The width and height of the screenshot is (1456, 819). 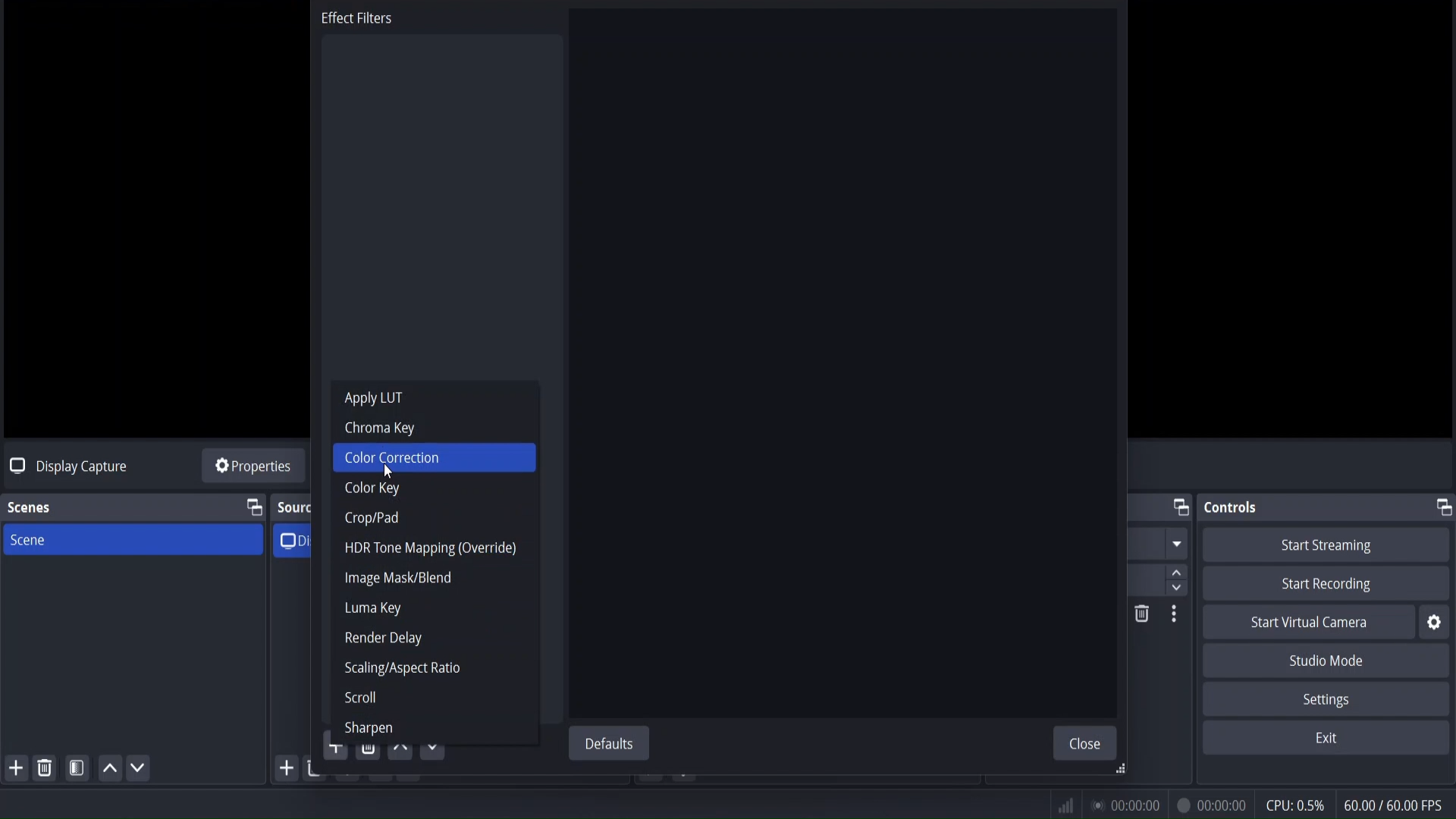 I want to click on open scene filter, so click(x=78, y=770).